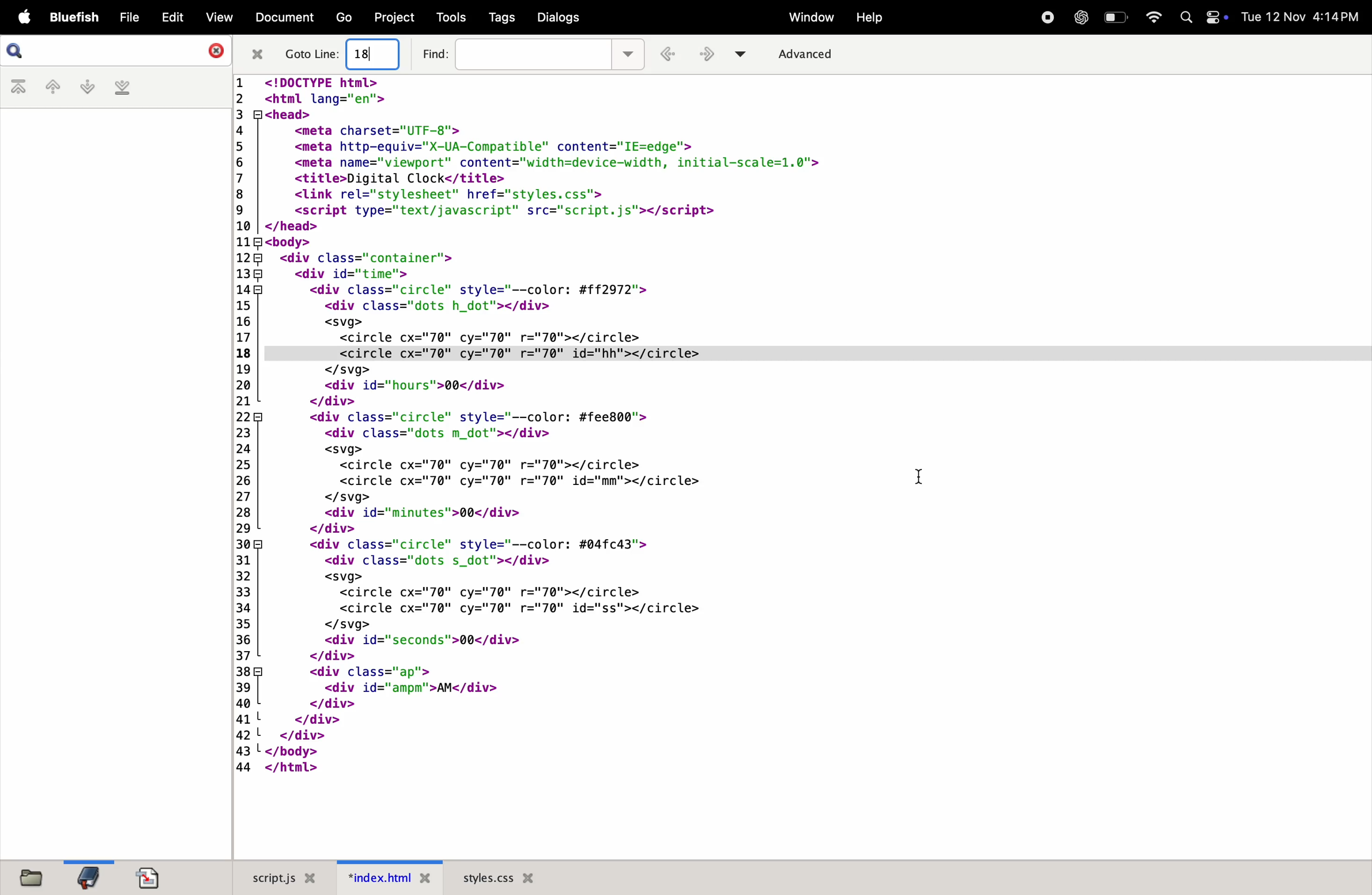 The width and height of the screenshot is (1372, 895). What do you see at coordinates (283, 879) in the screenshot?
I see `script.js` at bounding box center [283, 879].